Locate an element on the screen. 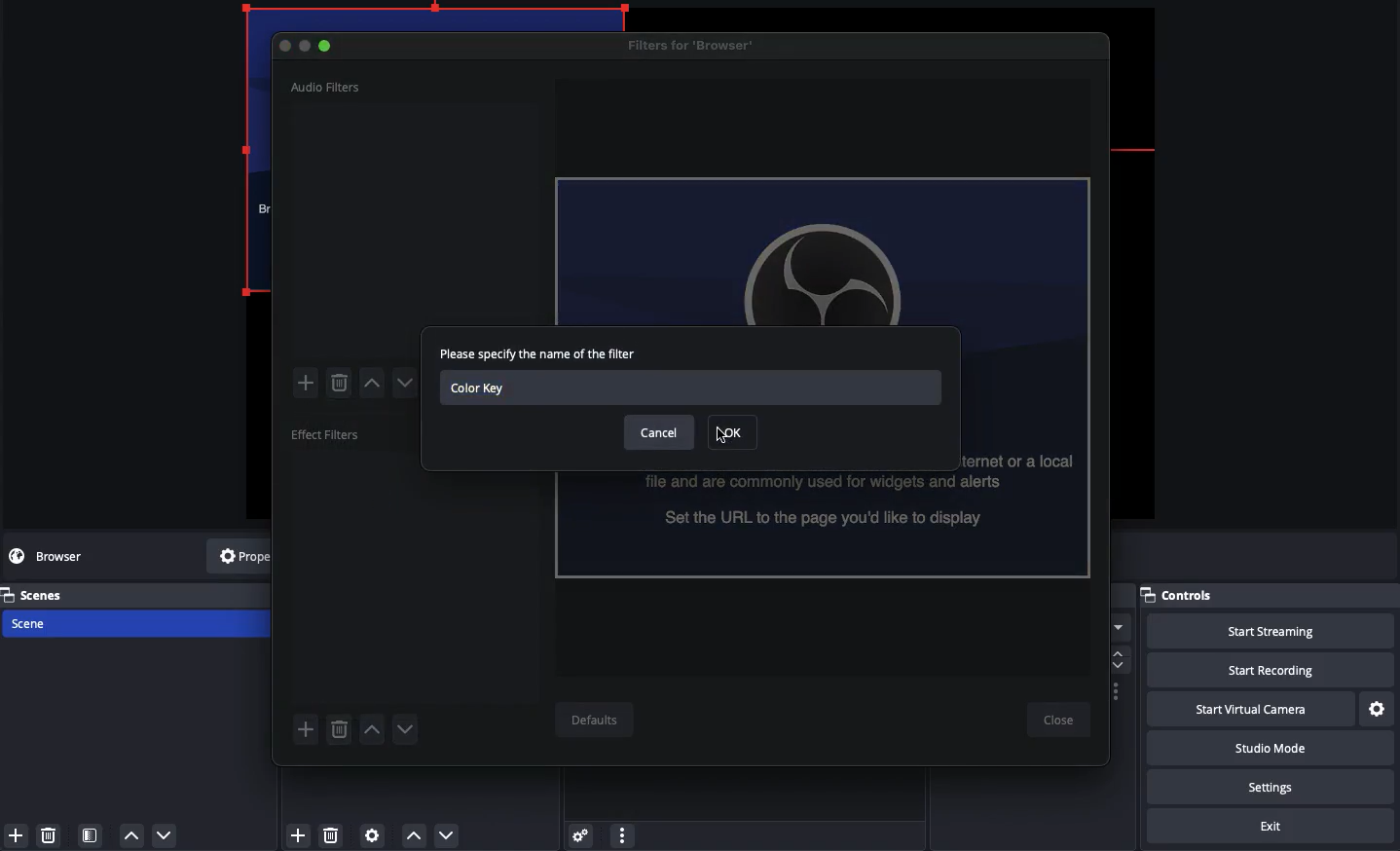 This screenshot has width=1400, height=851. Source preferences is located at coordinates (374, 834).